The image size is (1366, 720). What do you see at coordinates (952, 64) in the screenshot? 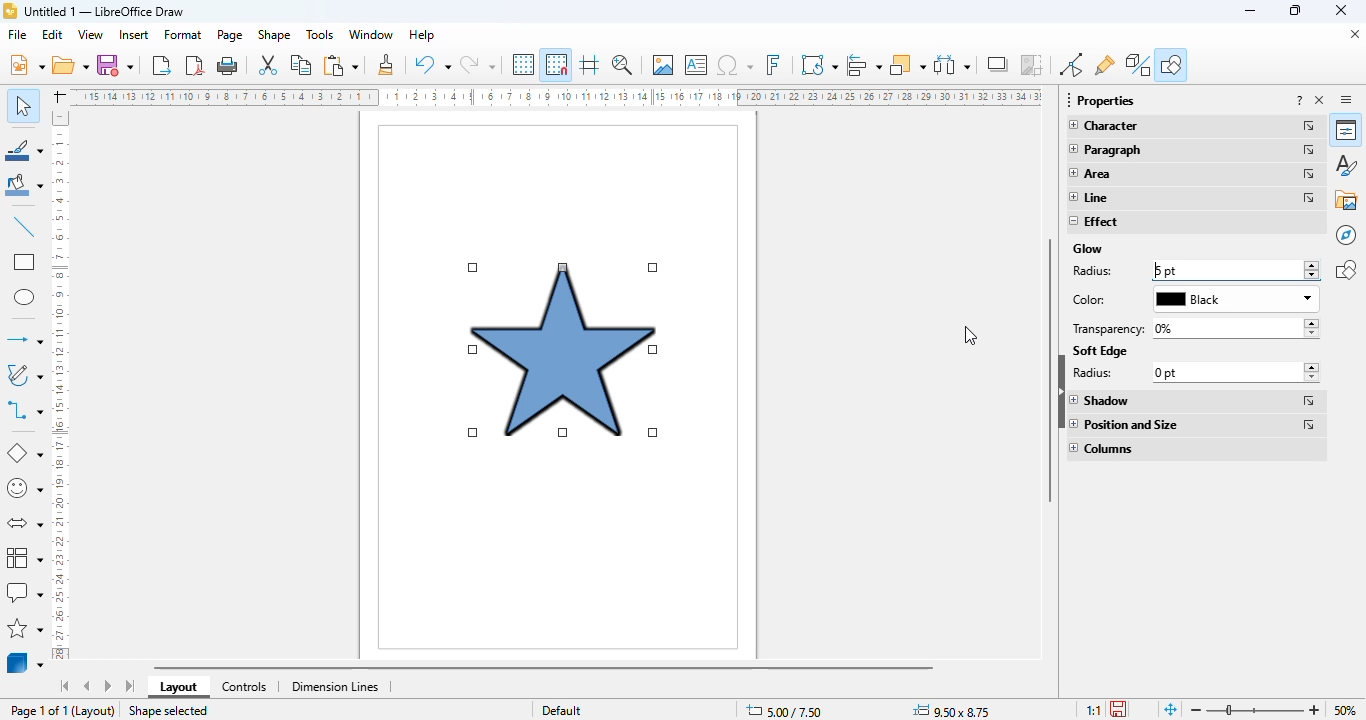
I see `select at least three objects to distribute` at bounding box center [952, 64].